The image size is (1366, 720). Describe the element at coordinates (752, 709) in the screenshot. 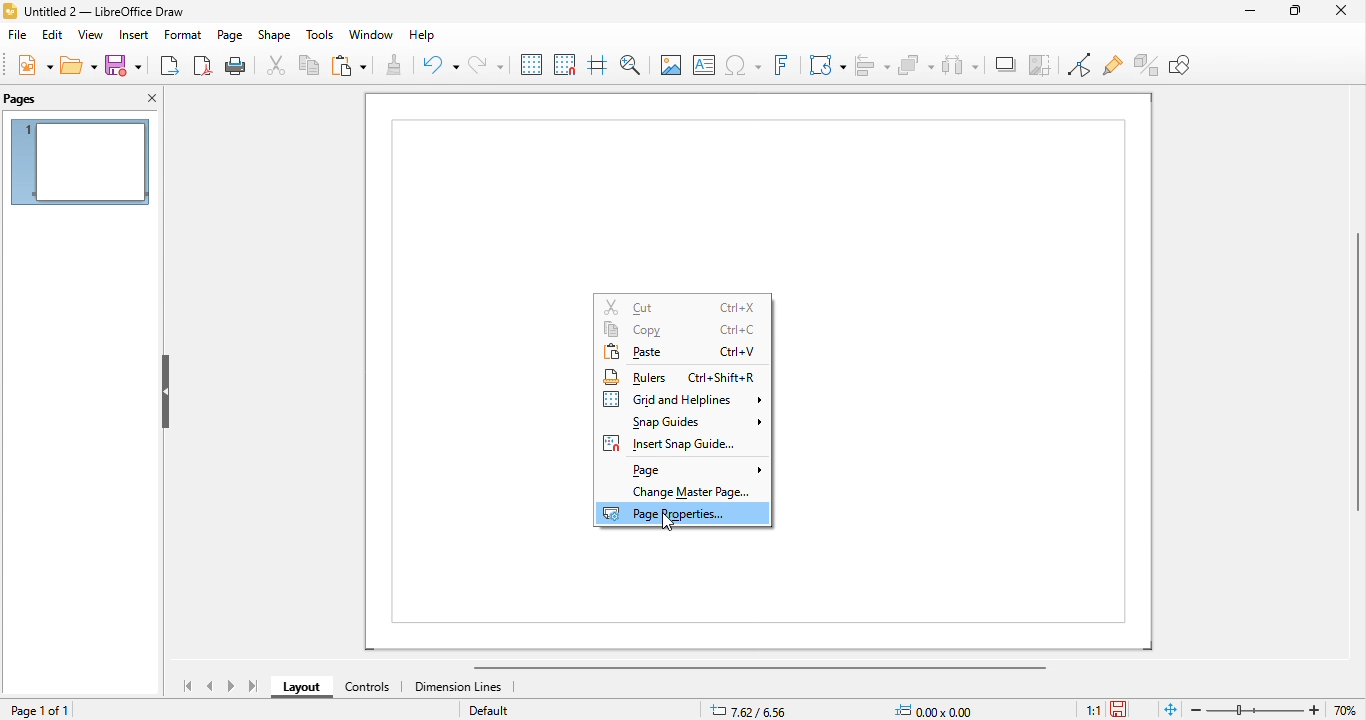

I see `7.62/6.56` at that location.